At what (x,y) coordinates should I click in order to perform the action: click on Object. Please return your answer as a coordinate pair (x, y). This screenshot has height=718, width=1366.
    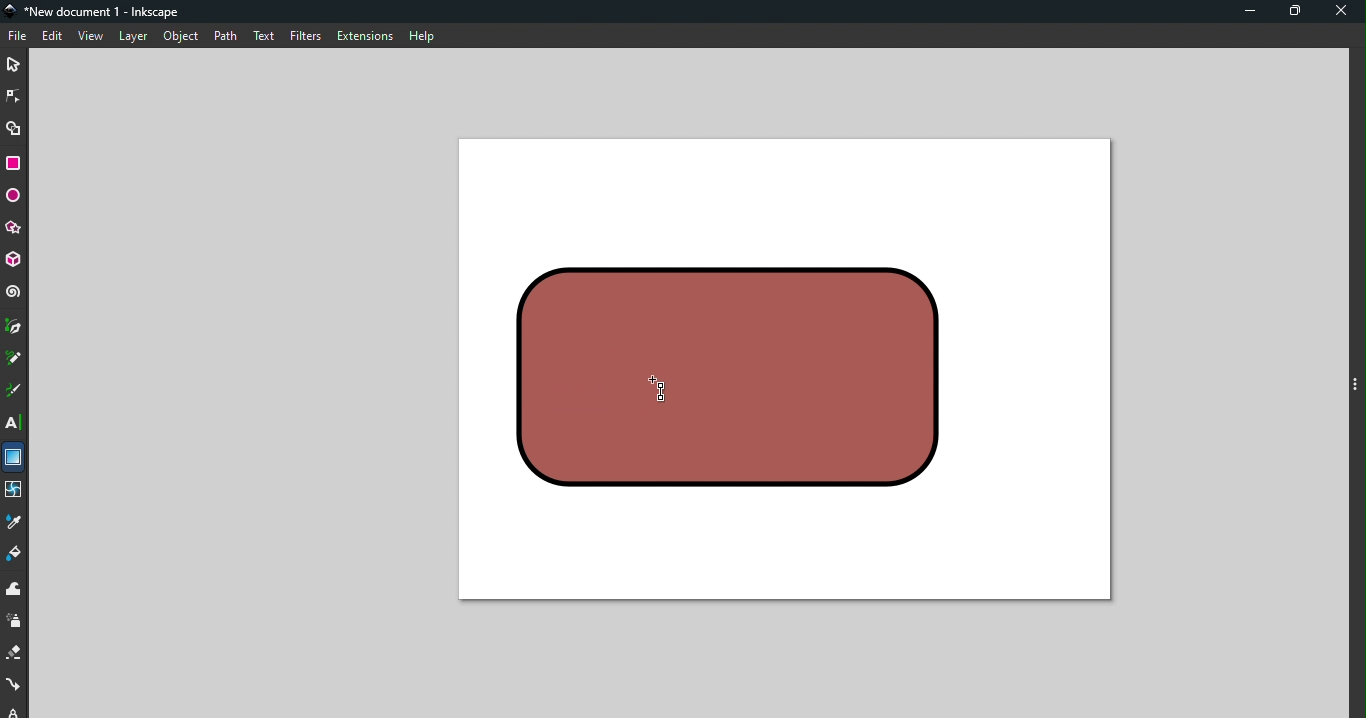
    Looking at the image, I should click on (180, 36).